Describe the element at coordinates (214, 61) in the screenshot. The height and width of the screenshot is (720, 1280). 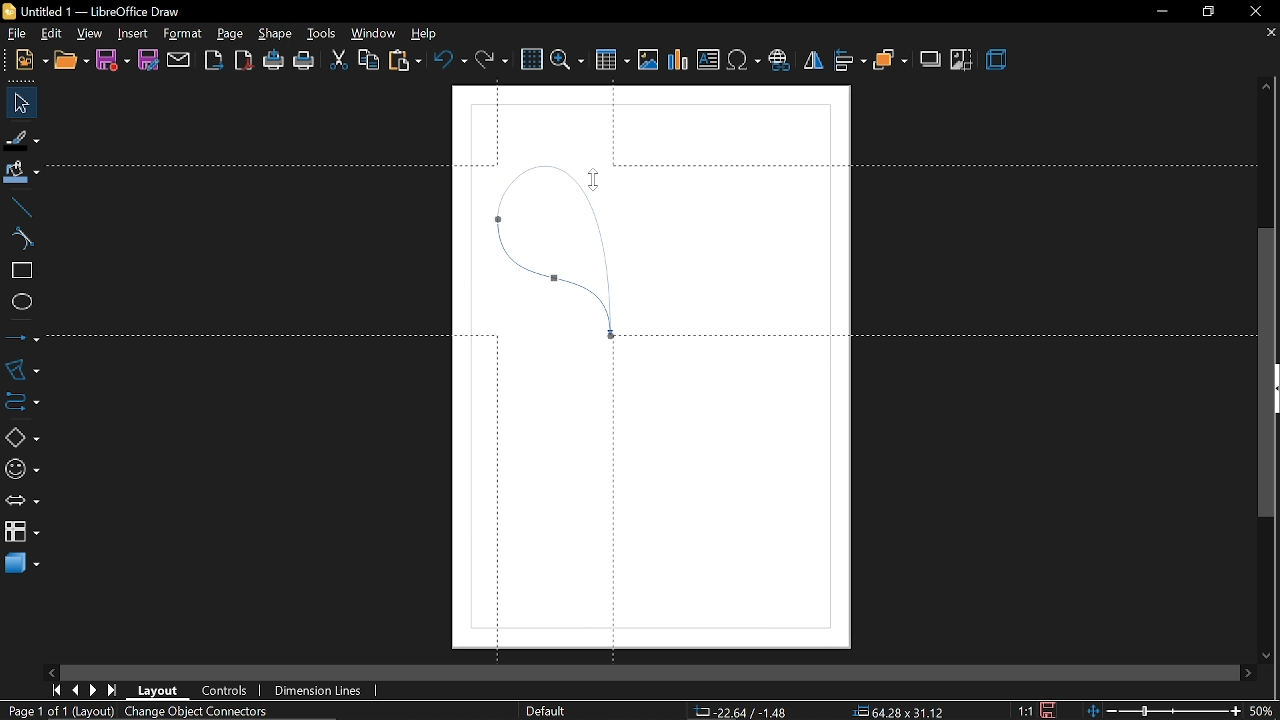
I see `export` at that location.